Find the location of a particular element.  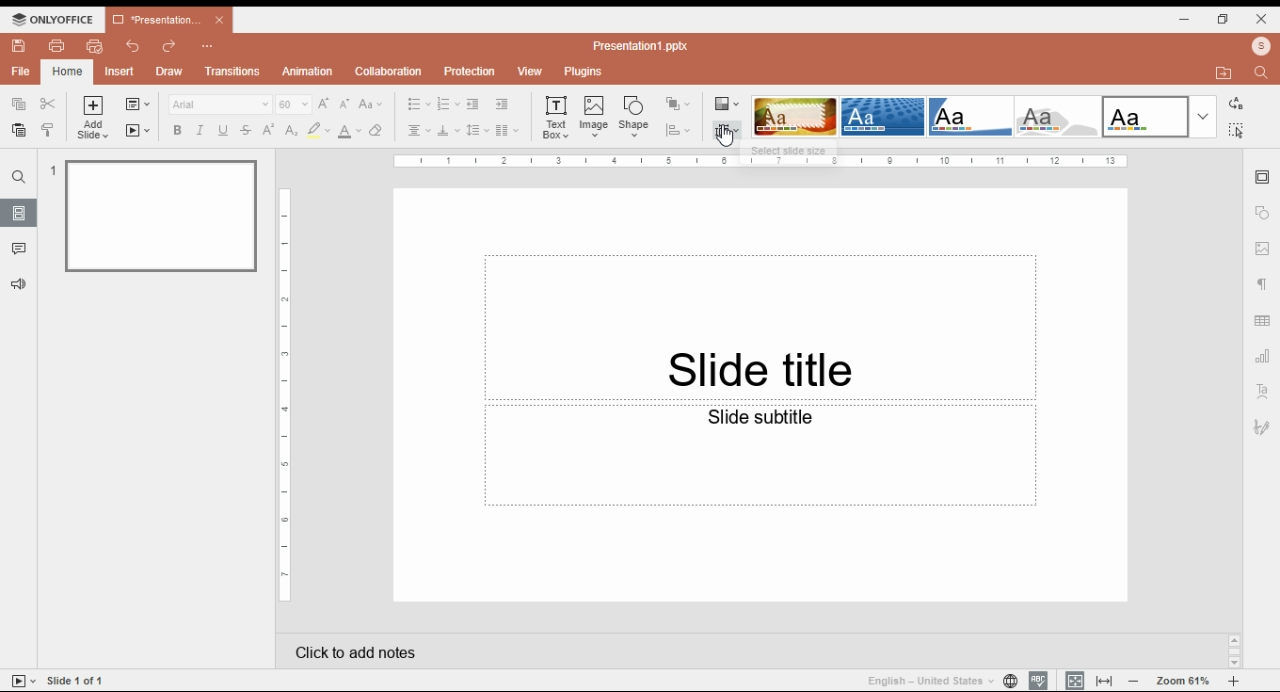

bold is located at coordinates (176, 130).